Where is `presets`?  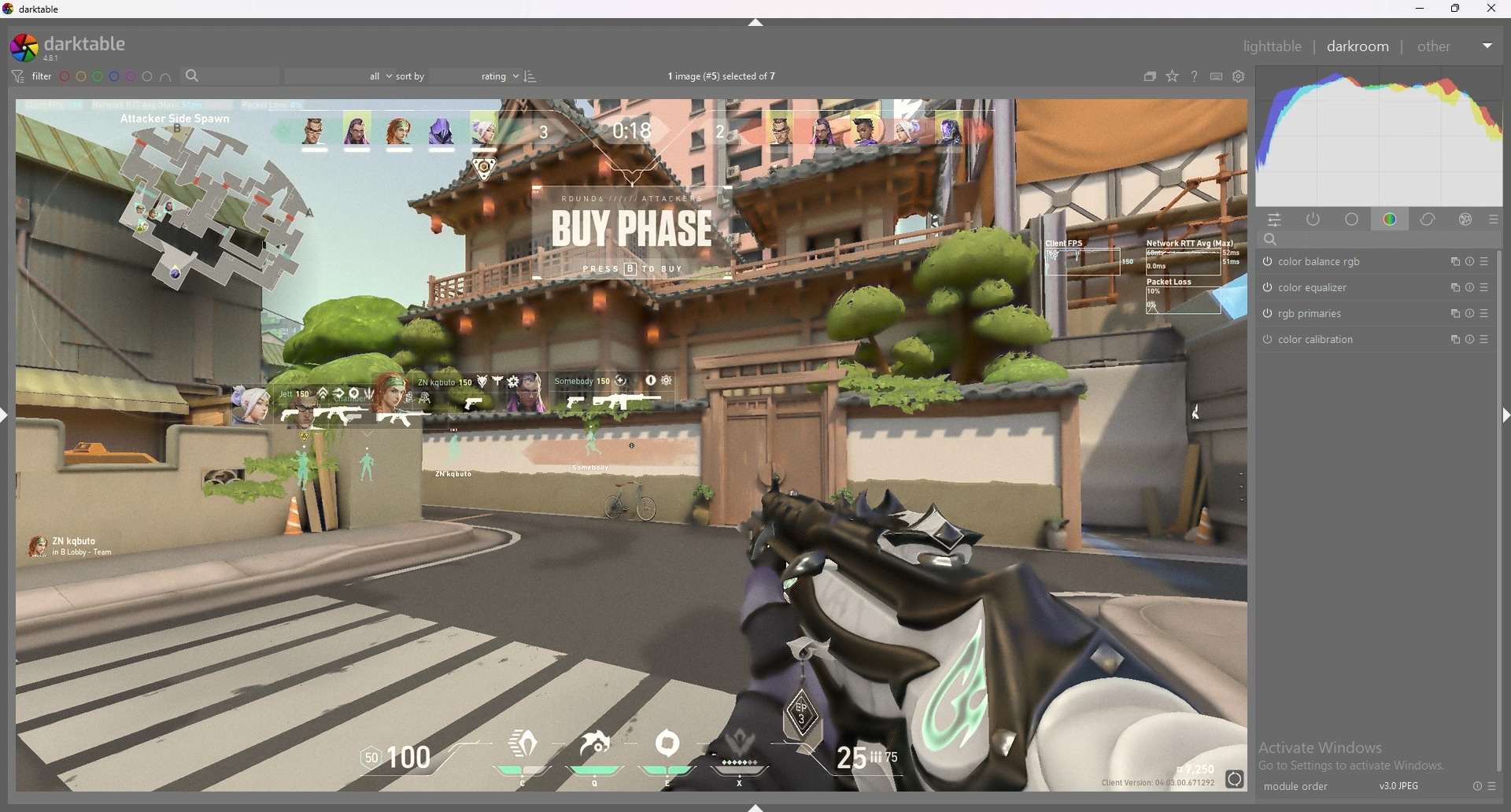
presets is located at coordinates (1485, 338).